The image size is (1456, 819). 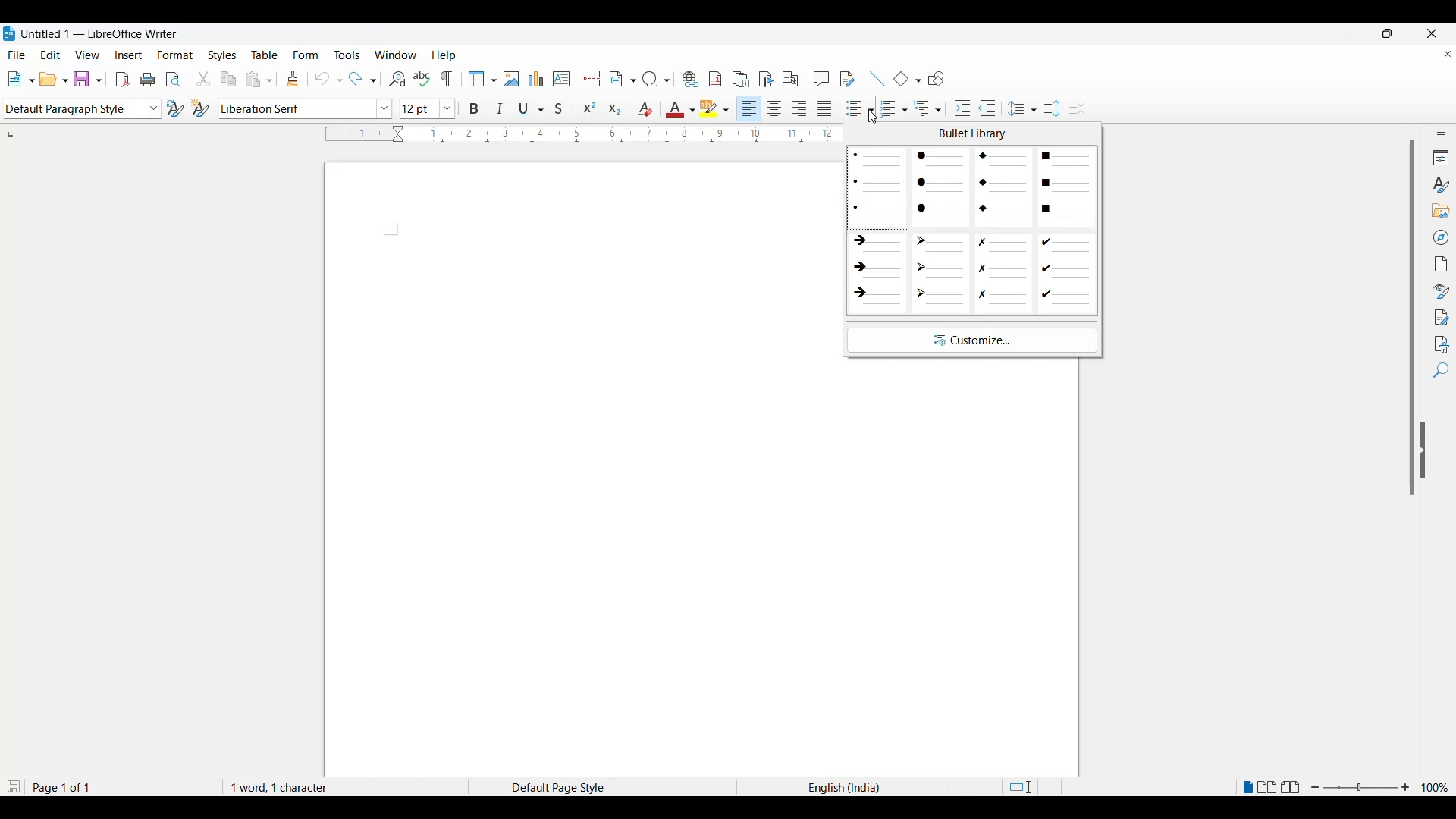 I want to click on Properties", so click(x=1439, y=157).